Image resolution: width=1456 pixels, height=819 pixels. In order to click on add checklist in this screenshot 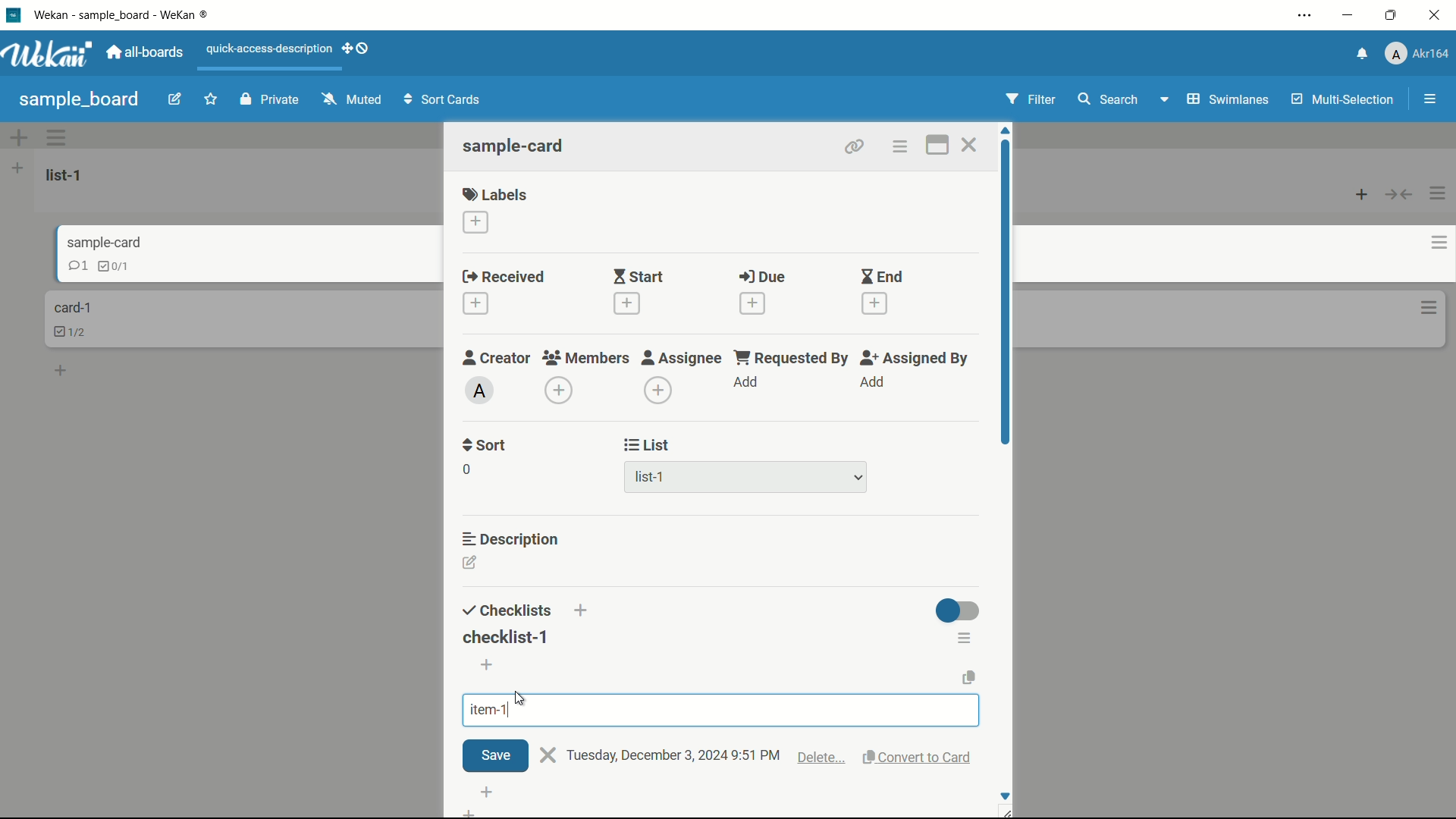, I will do `click(583, 611)`.